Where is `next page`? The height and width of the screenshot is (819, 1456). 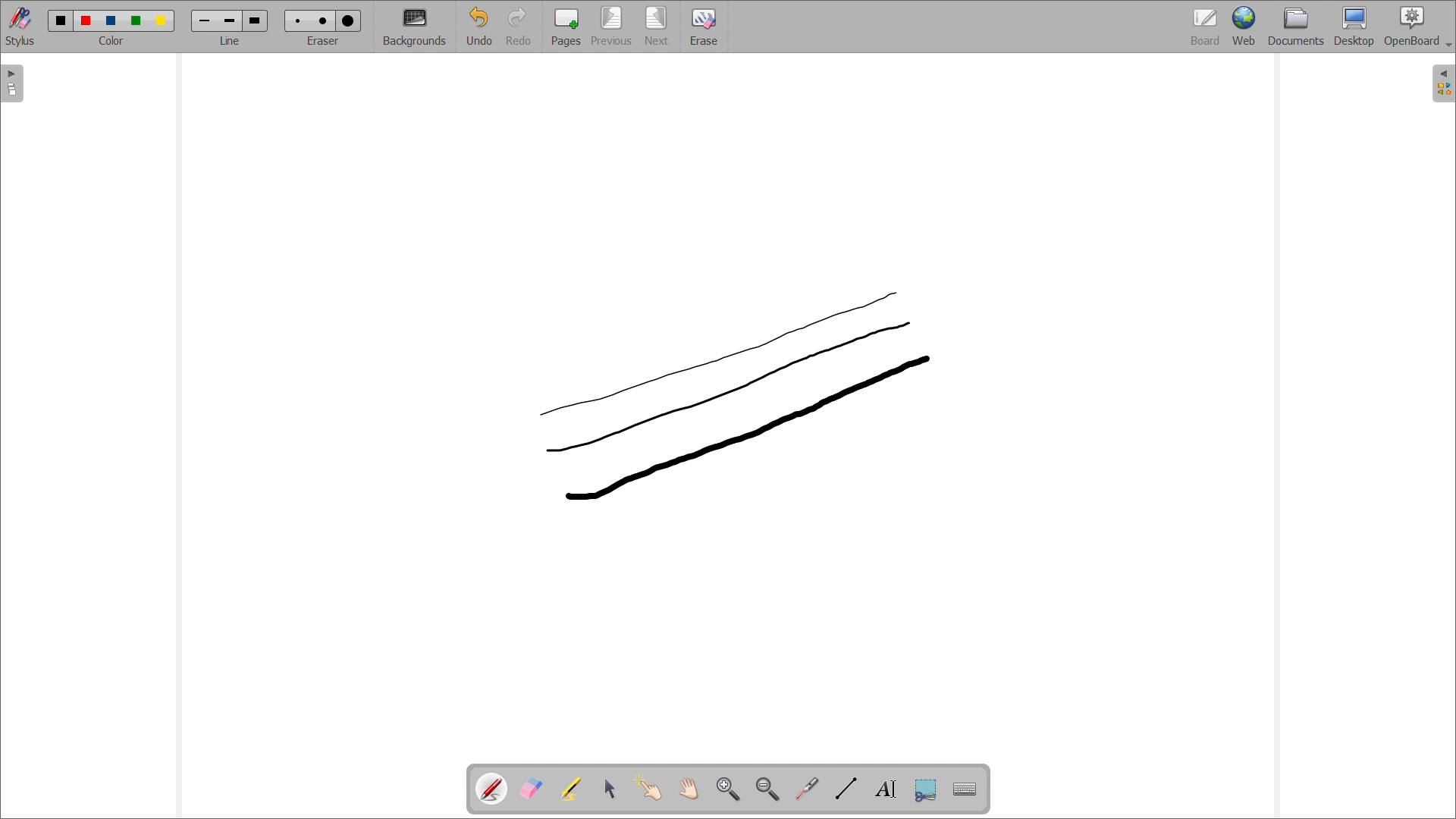 next page is located at coordinates (657, 27).